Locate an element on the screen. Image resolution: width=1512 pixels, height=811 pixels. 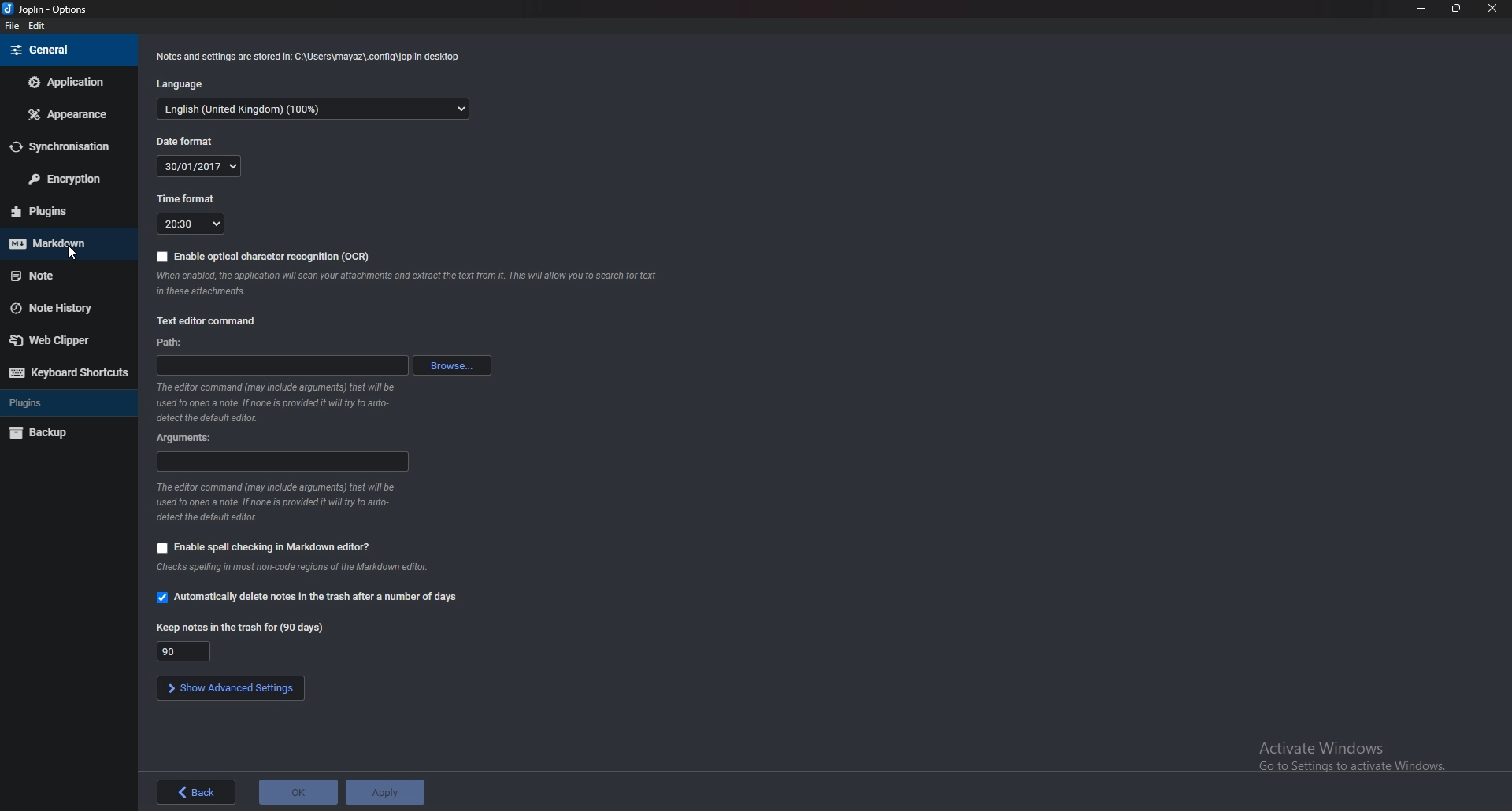
back is located at coordinates (195, 791).